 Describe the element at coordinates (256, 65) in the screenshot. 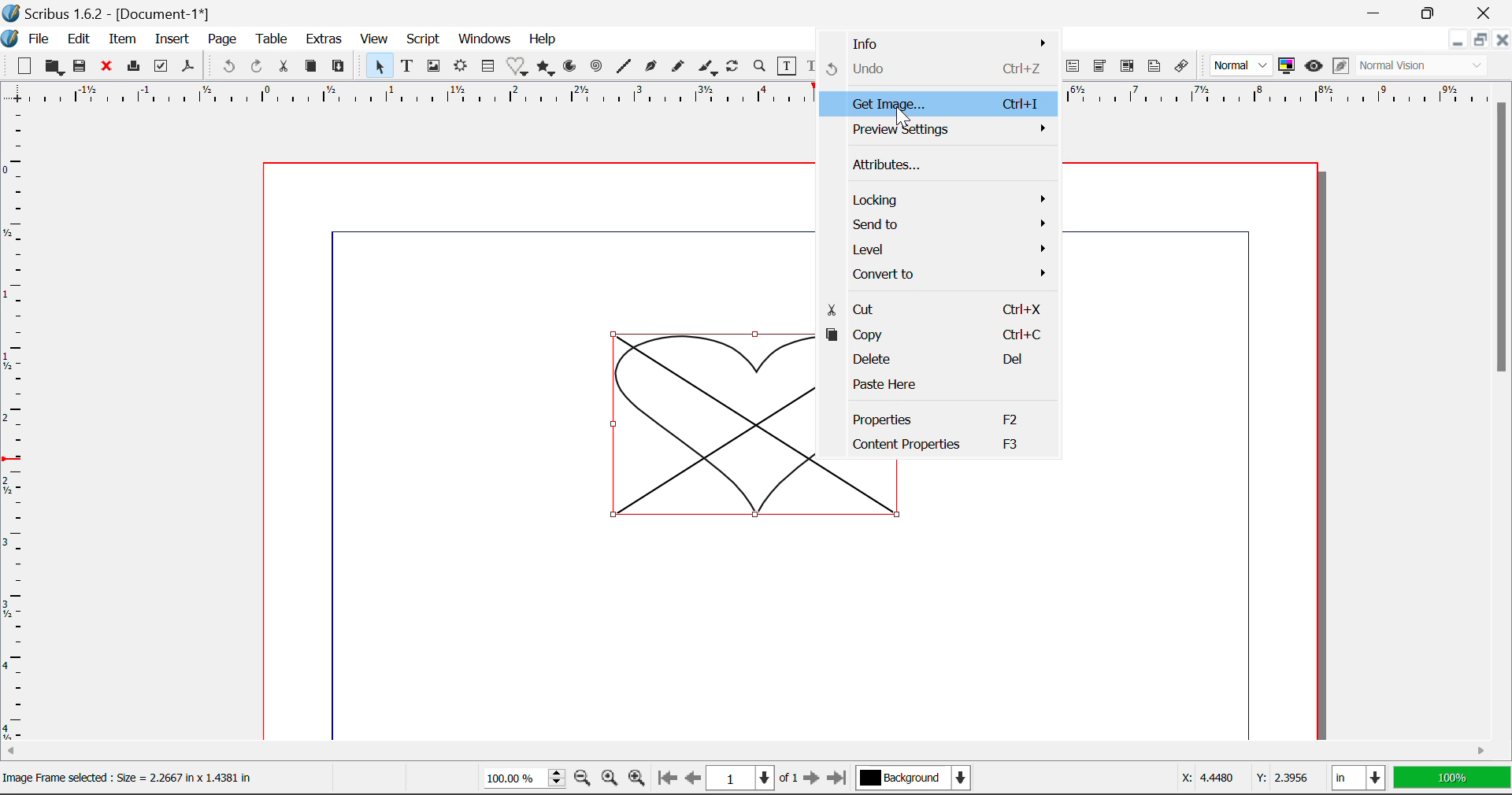

I see `Redo` at that location.